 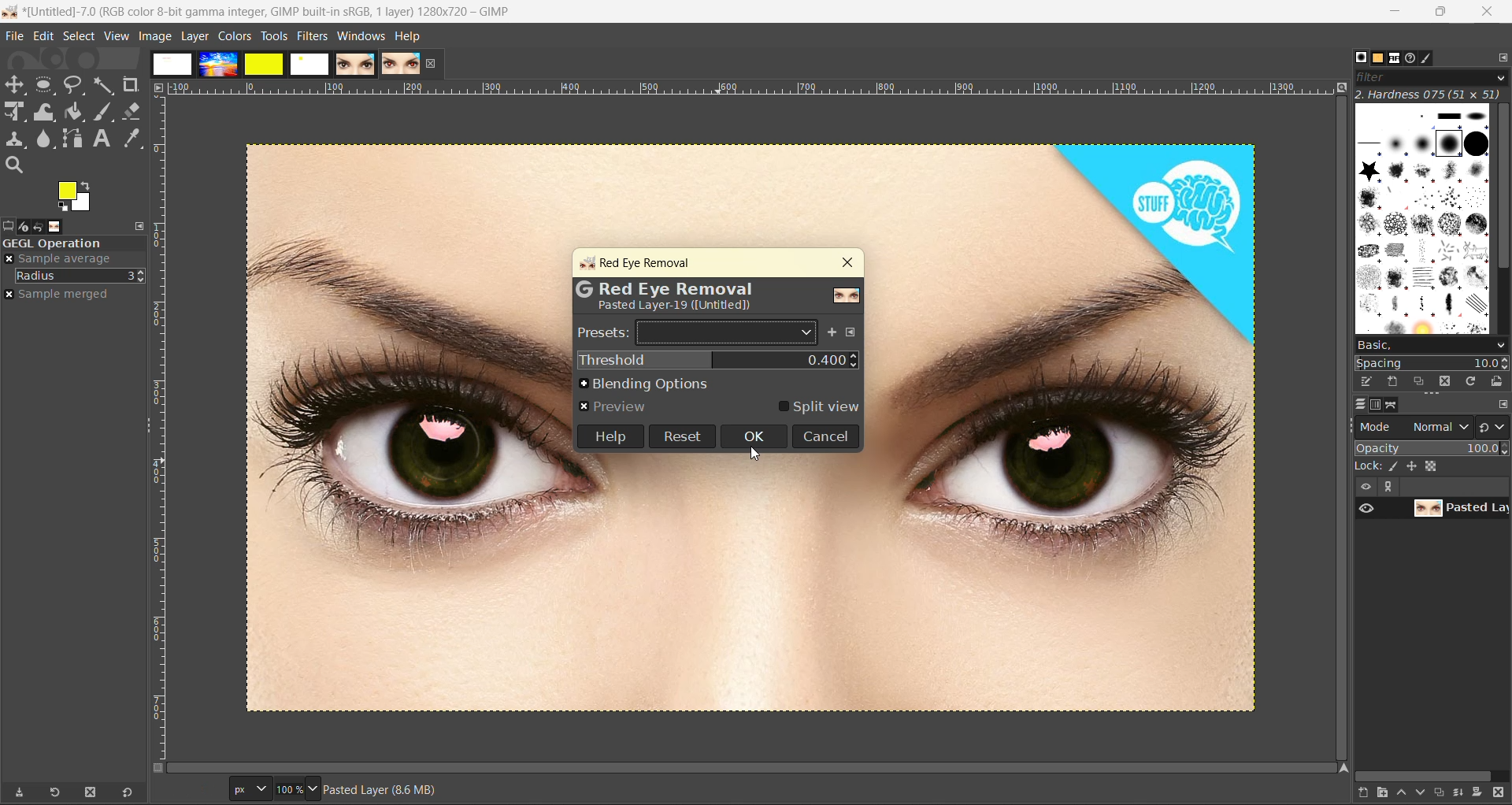 I want to click on horizontal scroll bar, so click(x=1427, y=774).